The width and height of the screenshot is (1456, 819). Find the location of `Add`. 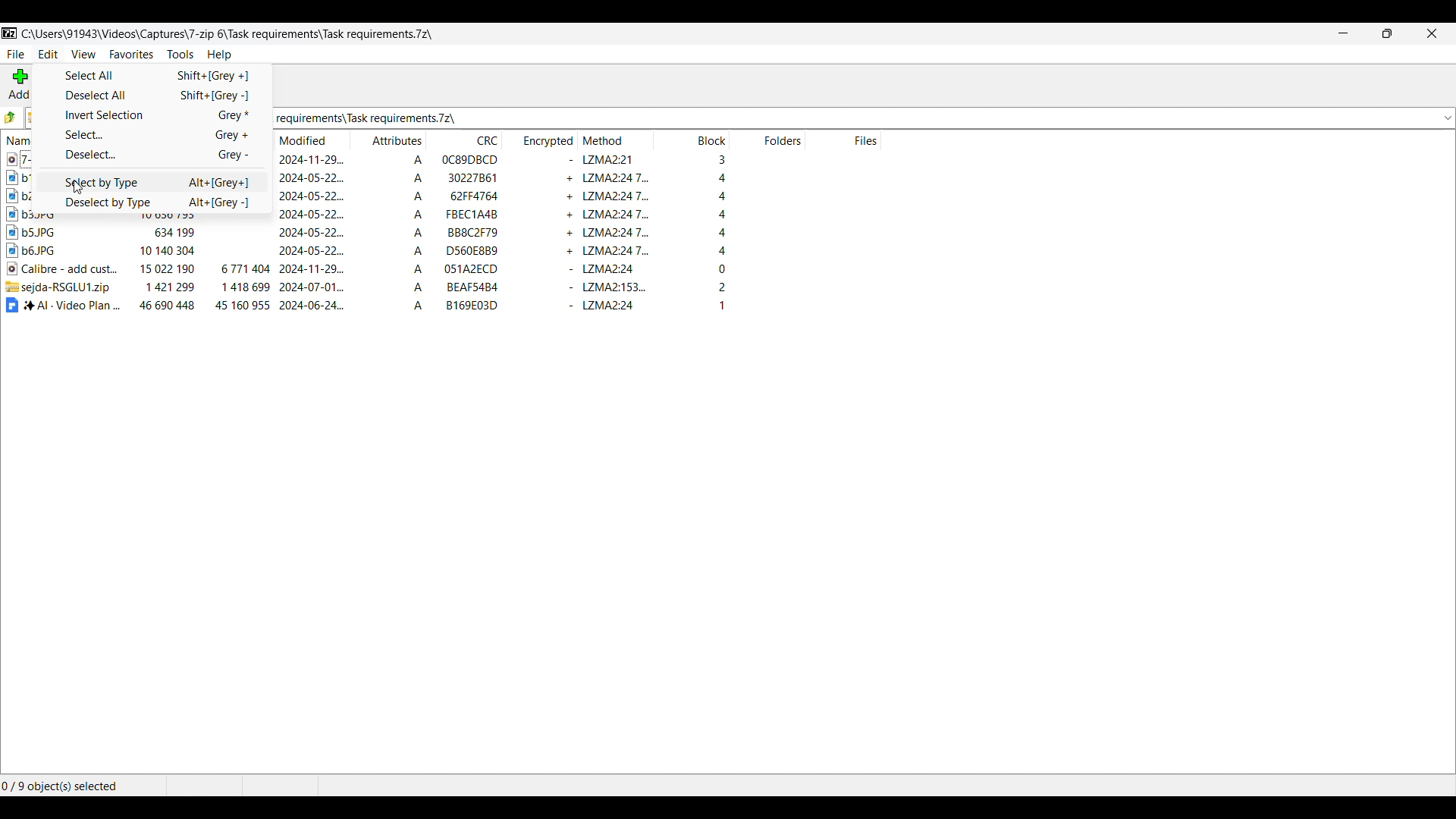

Add is located at coordinates (19, 83).